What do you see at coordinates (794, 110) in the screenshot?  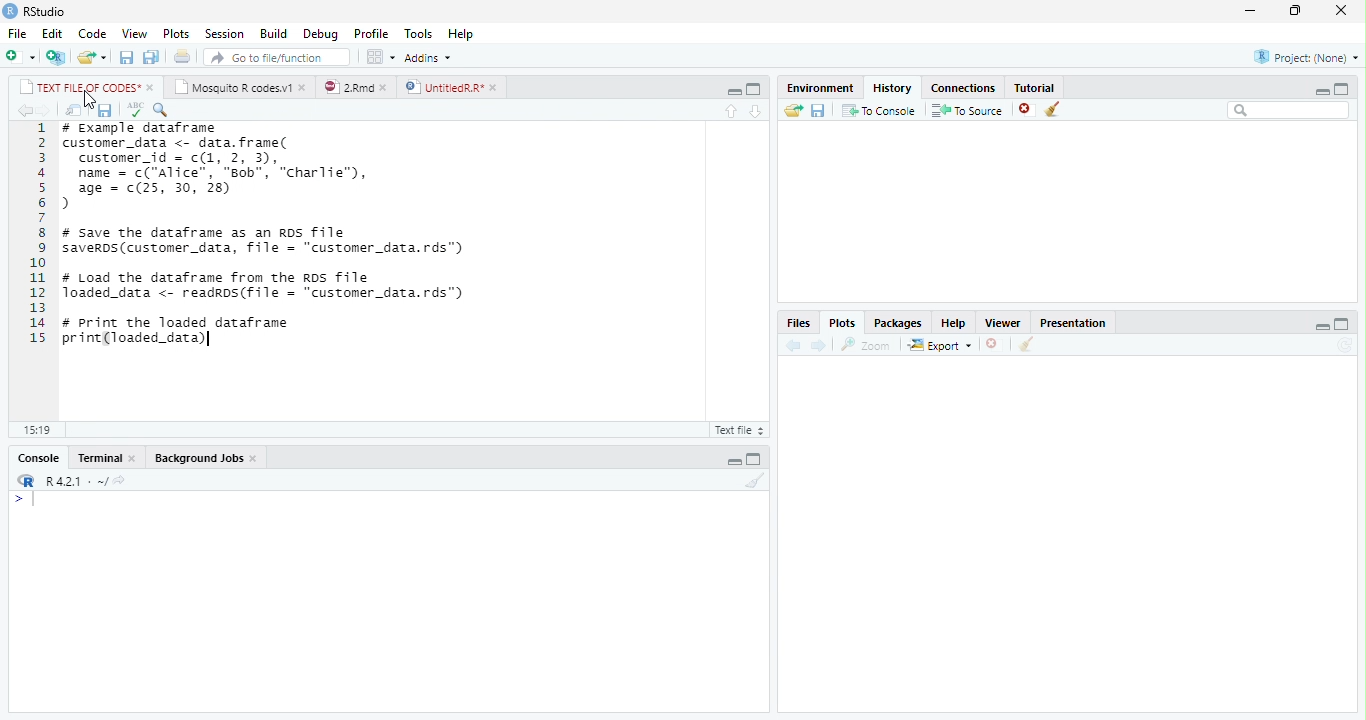 I see `open folder` at bounding box center [794, 110].